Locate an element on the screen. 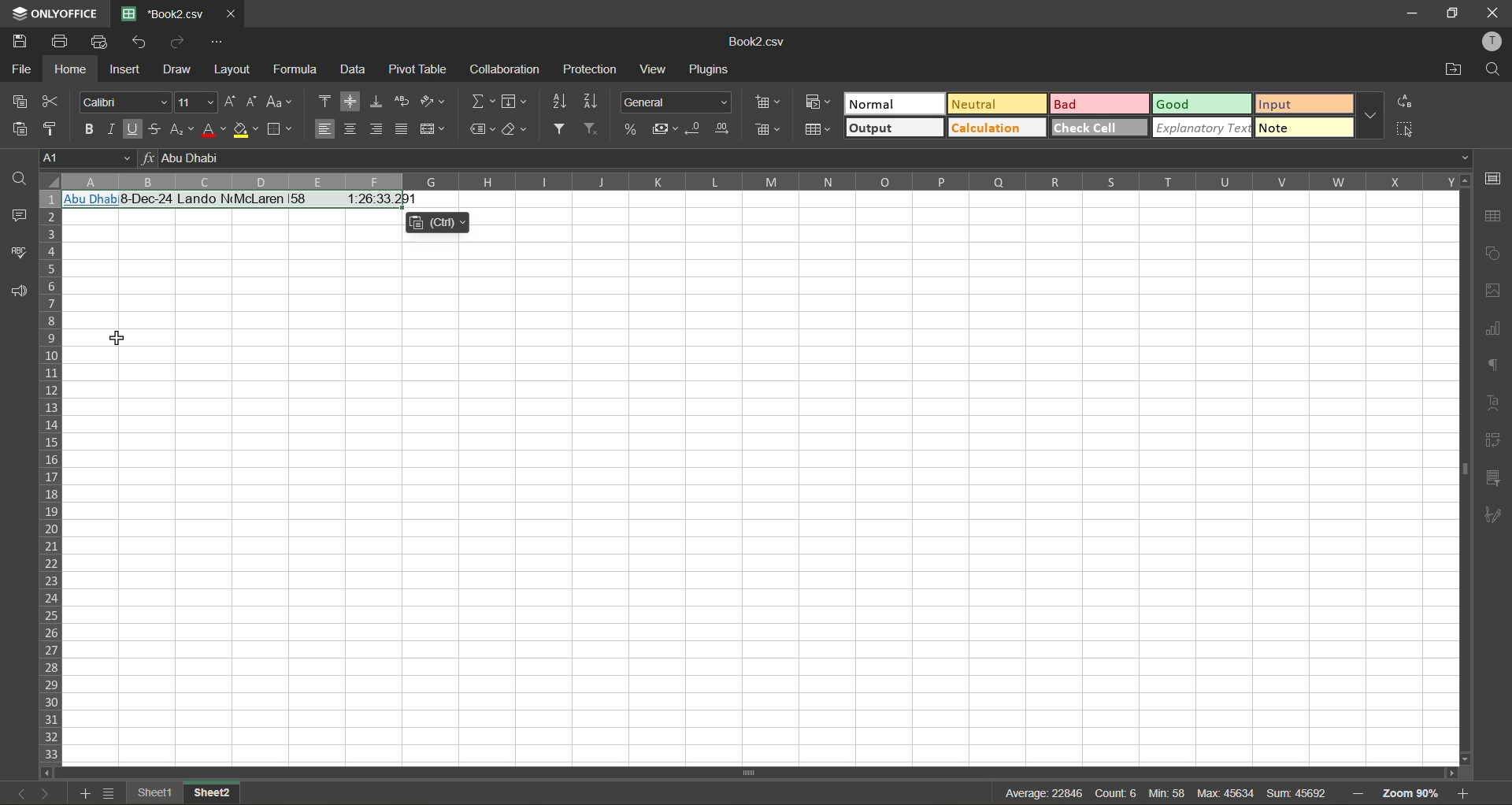  options is located at coordinates (217, 43).